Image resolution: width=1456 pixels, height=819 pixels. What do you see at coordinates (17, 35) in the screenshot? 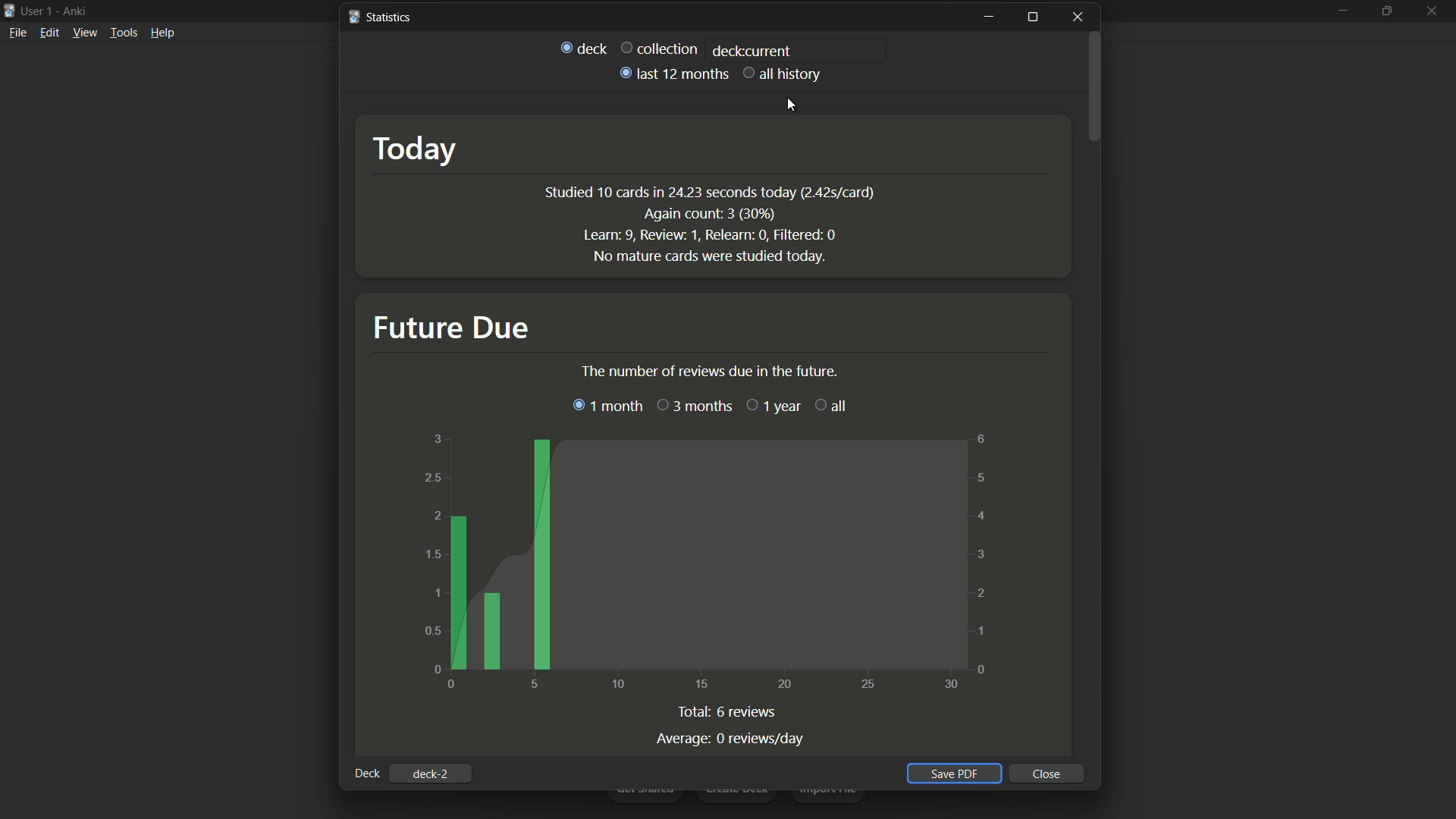
I see `file` at bounding box center [17, 35].